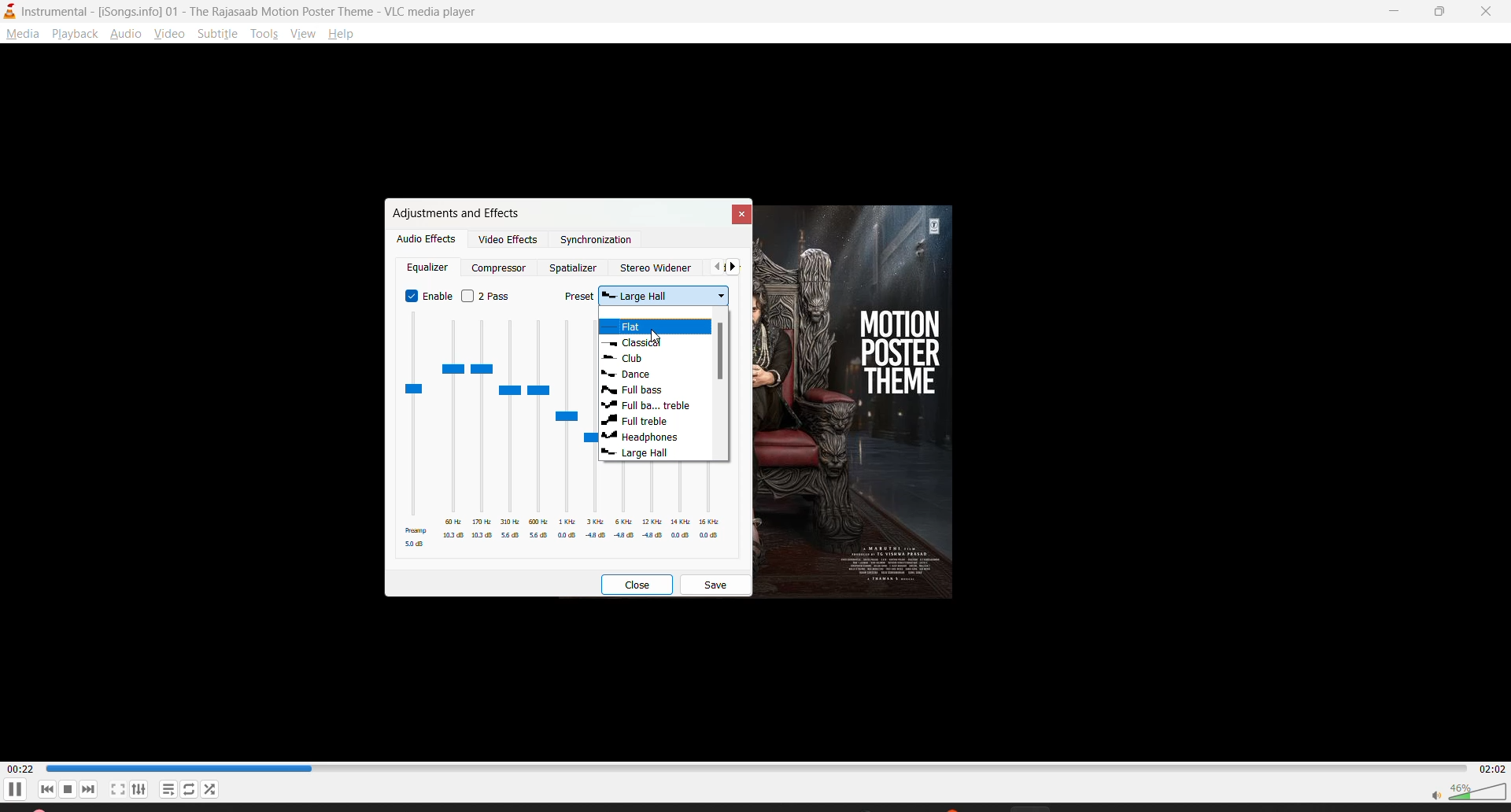 This screenshot has height=812, width=1511. What do you see at coordinates (642, 438) in the screenshot?
I see `headphone` at bounding box center [642, 438].